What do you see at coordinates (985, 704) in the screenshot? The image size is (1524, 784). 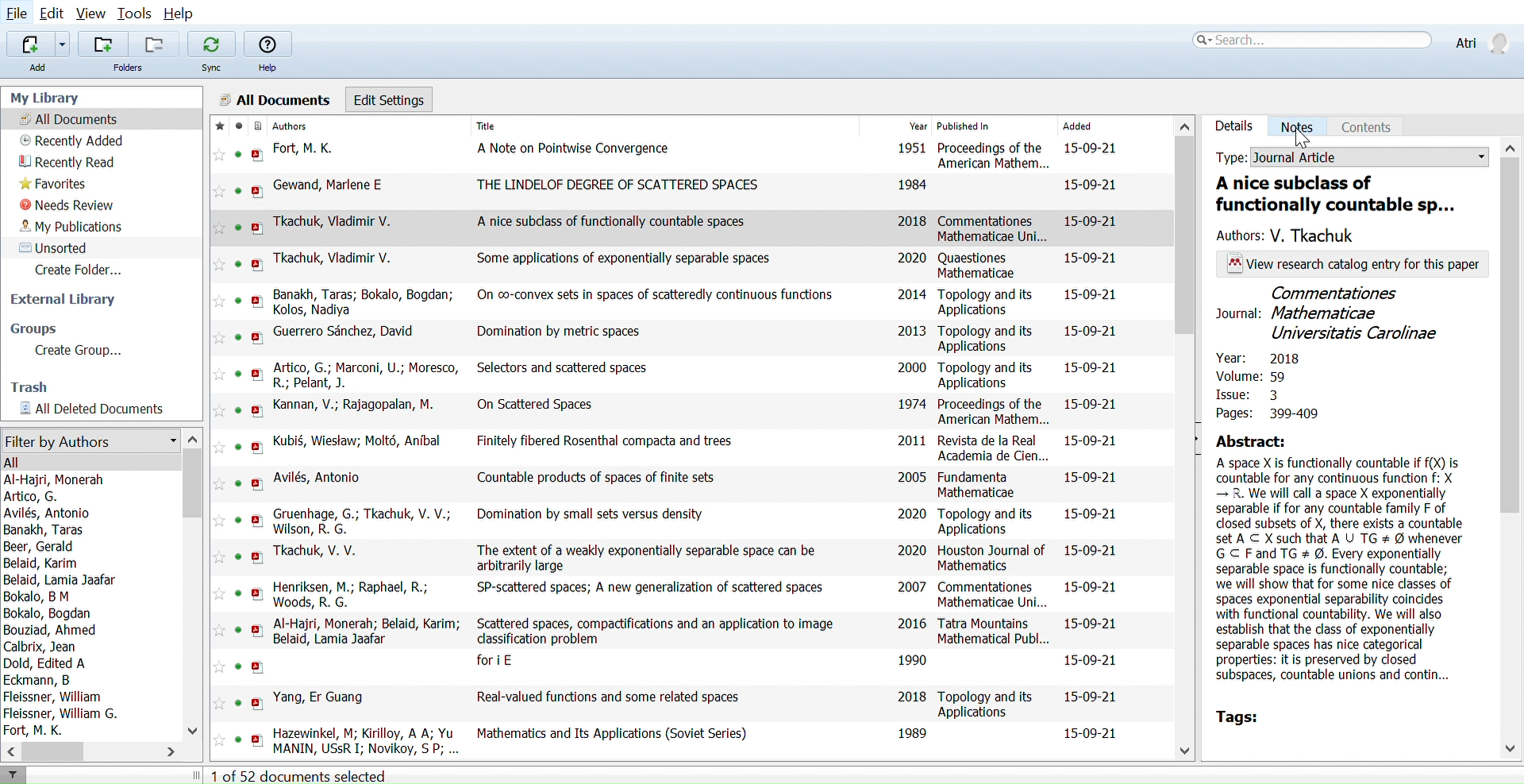 I see `Topology and its Applications` at bounding box center [985, 704].